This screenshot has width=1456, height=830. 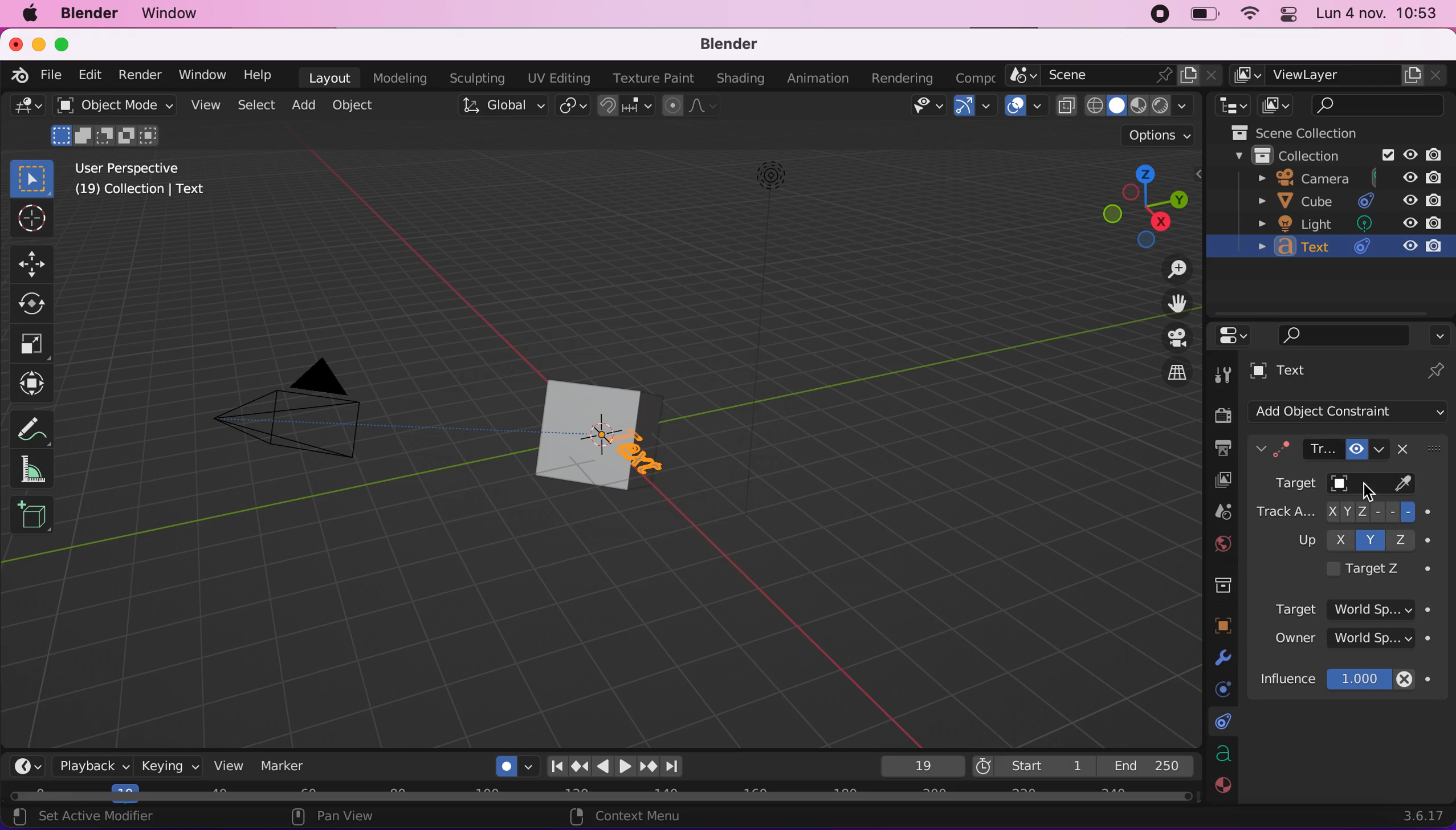 What do you see at coordinates (1286, 15) in the screenshot?
I see `panel control` at bounding box center [1286, 15].